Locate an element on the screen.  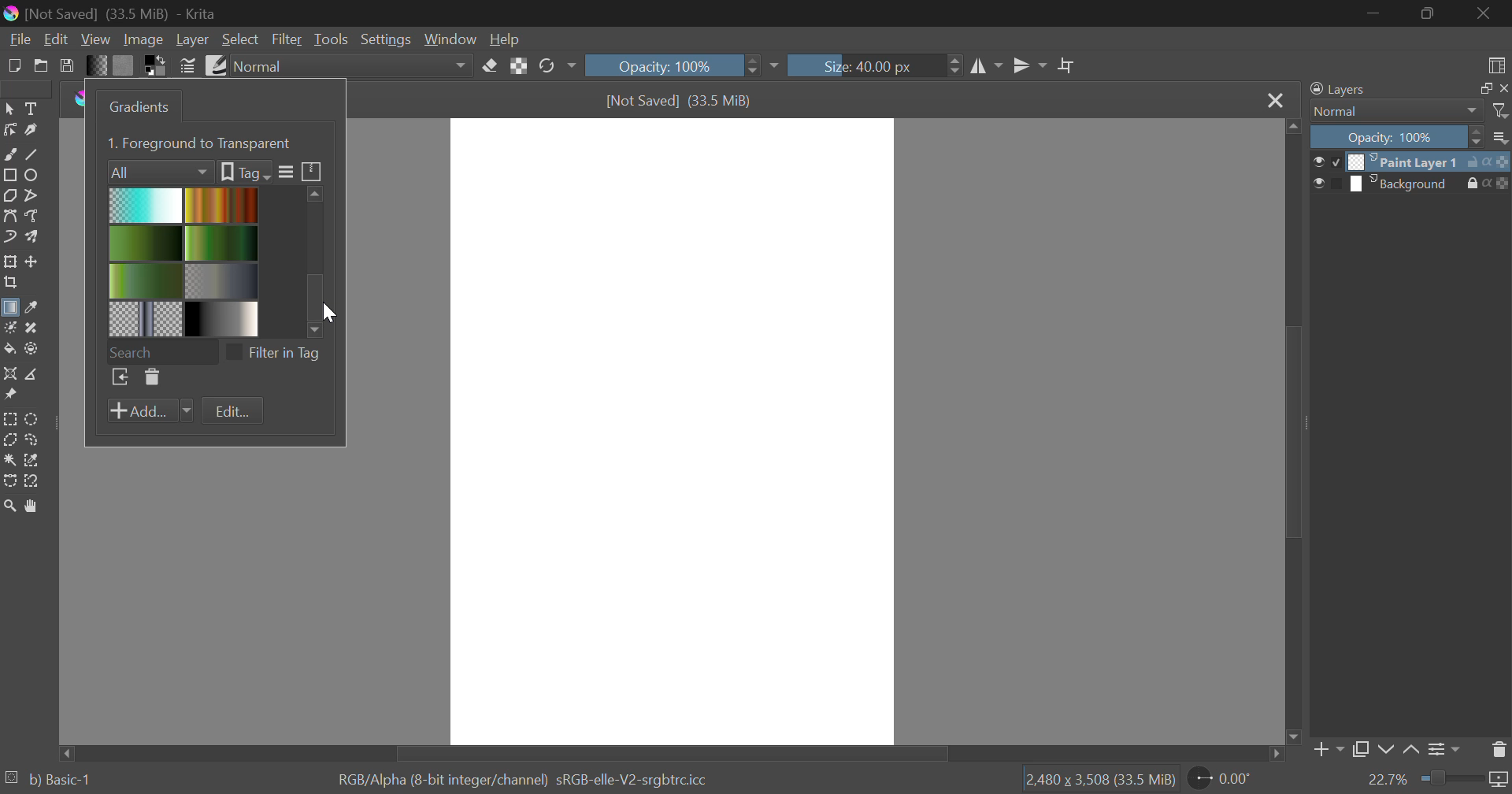
Bezier Curve Selection is located at coordinates (9, 479).